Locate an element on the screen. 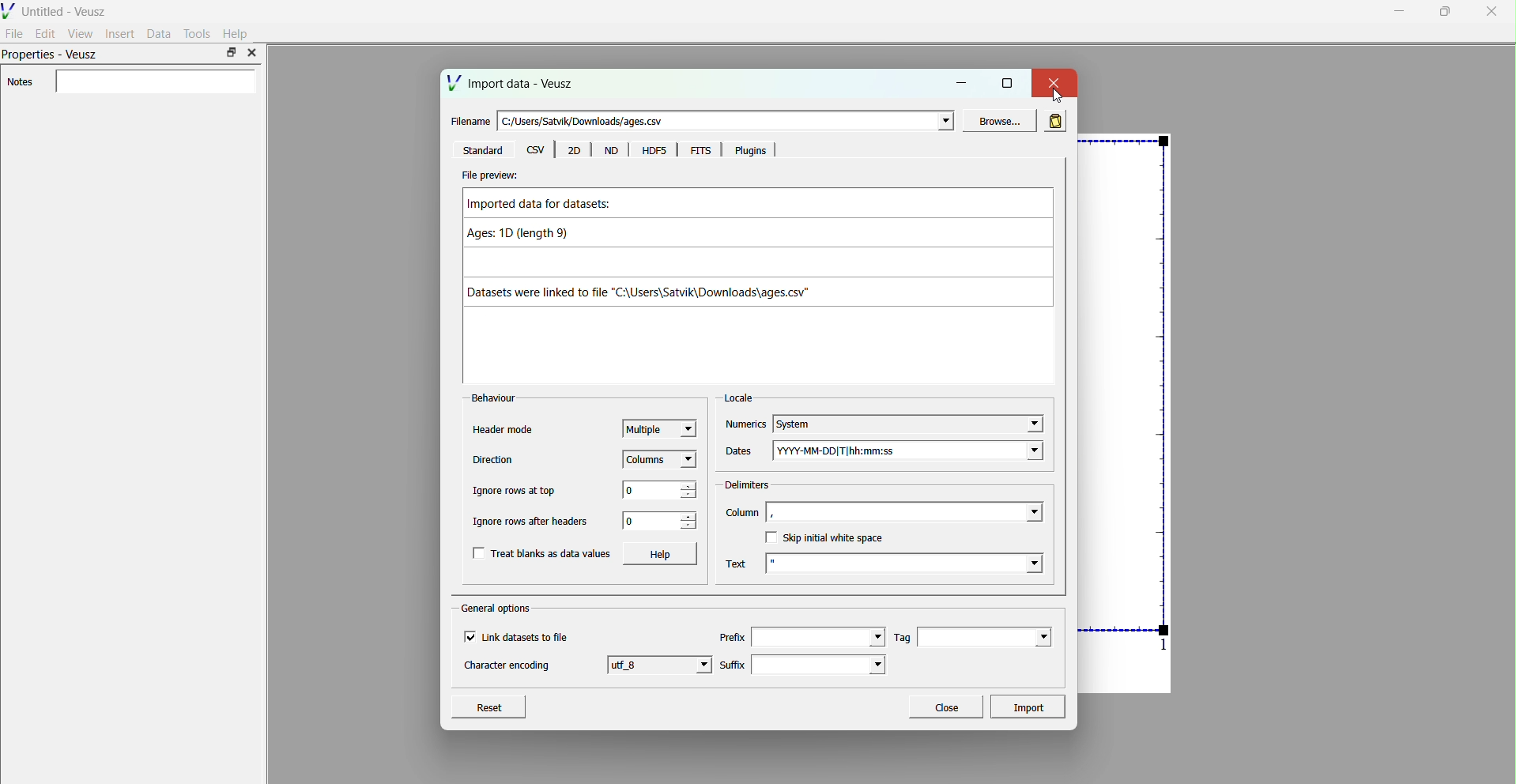 This screenshot has width=1516, height=784. Browse... is located at coordinates (997, 121).